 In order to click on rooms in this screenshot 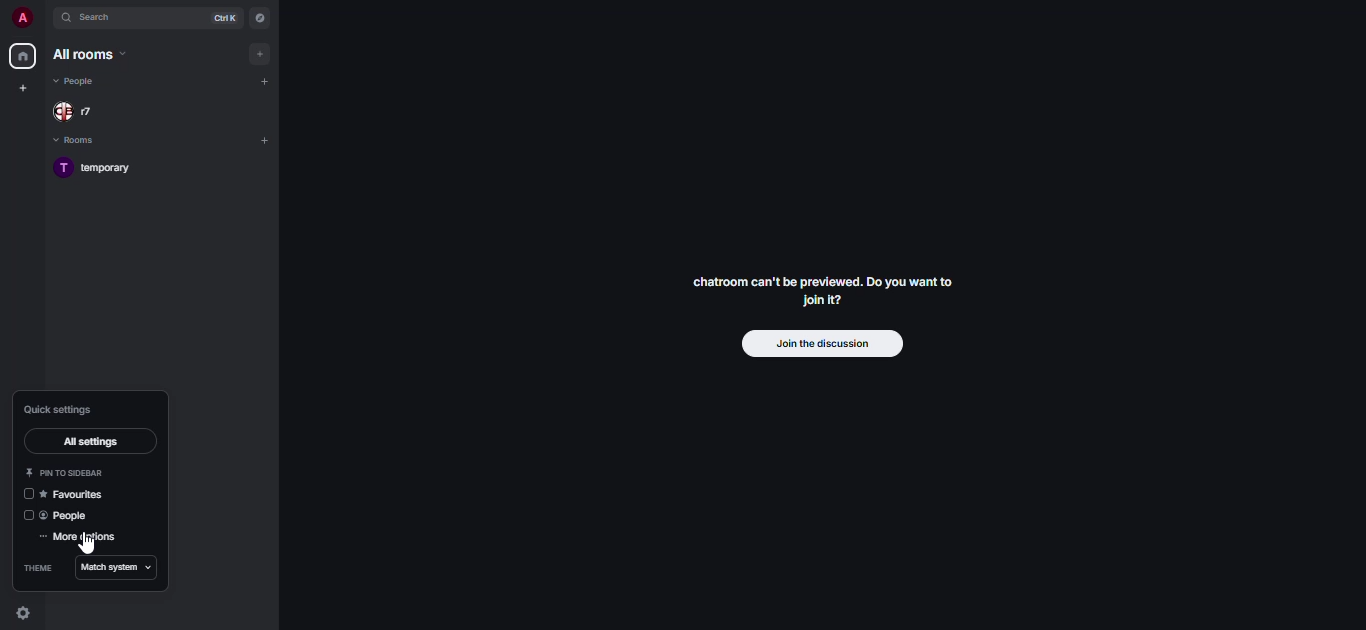, I will do `click(80, 140)`.